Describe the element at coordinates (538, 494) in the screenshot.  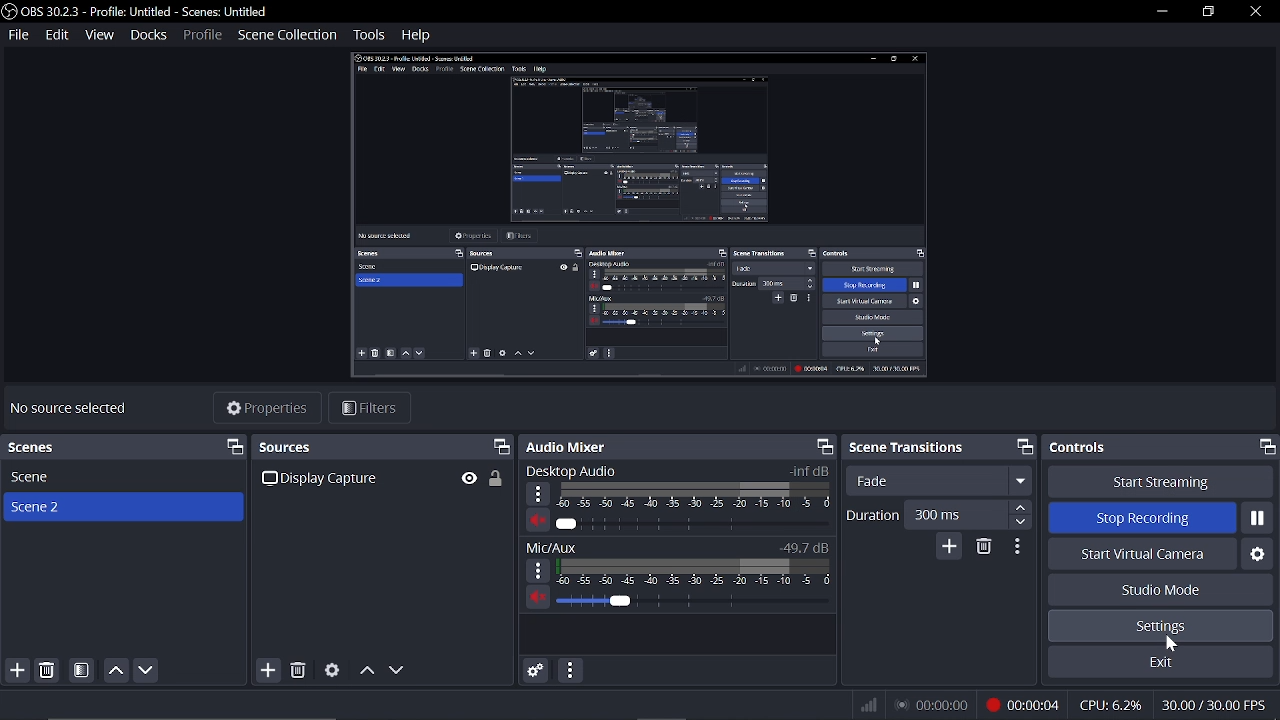
I see `desktop audio menu` at that location.